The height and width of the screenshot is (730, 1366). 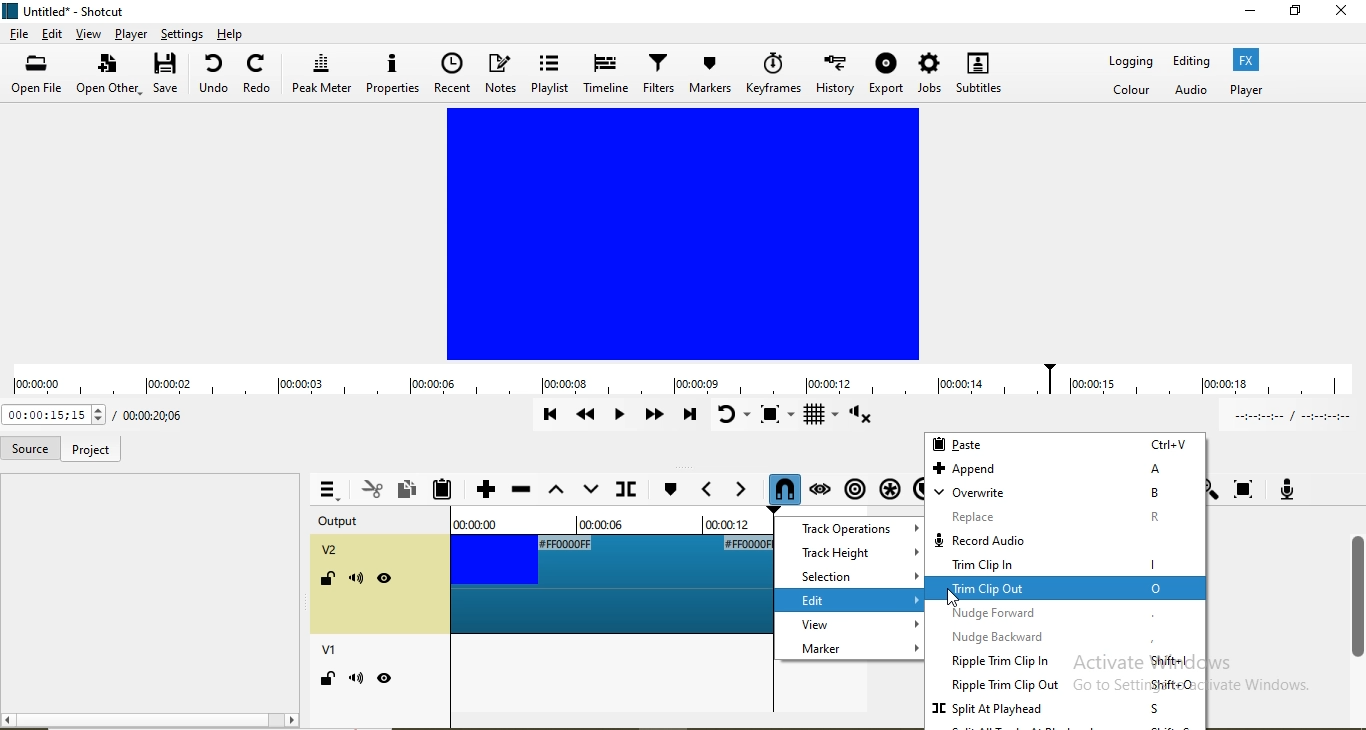 What do you see at coordinates (333, 552) in the screenshot?
I see `v2` at bounding box center [333, 552].